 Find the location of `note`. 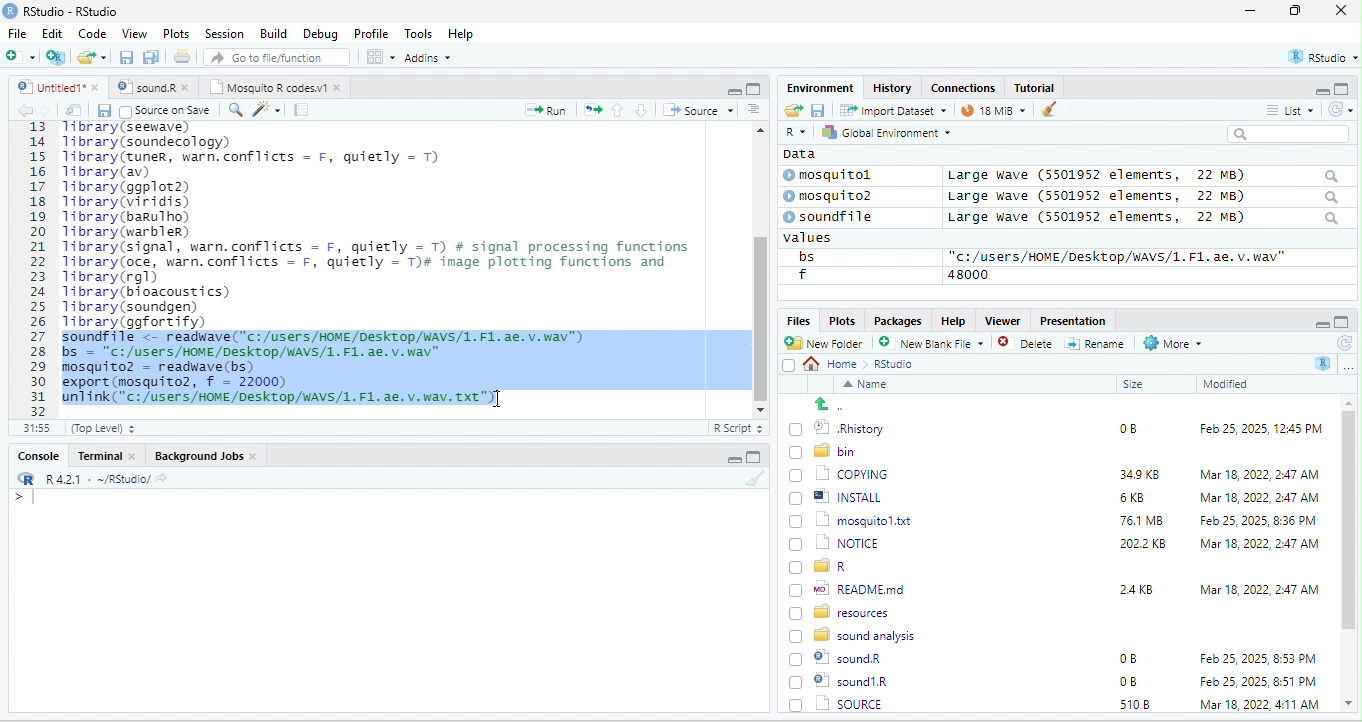

note is located at coordinates (302, 109).